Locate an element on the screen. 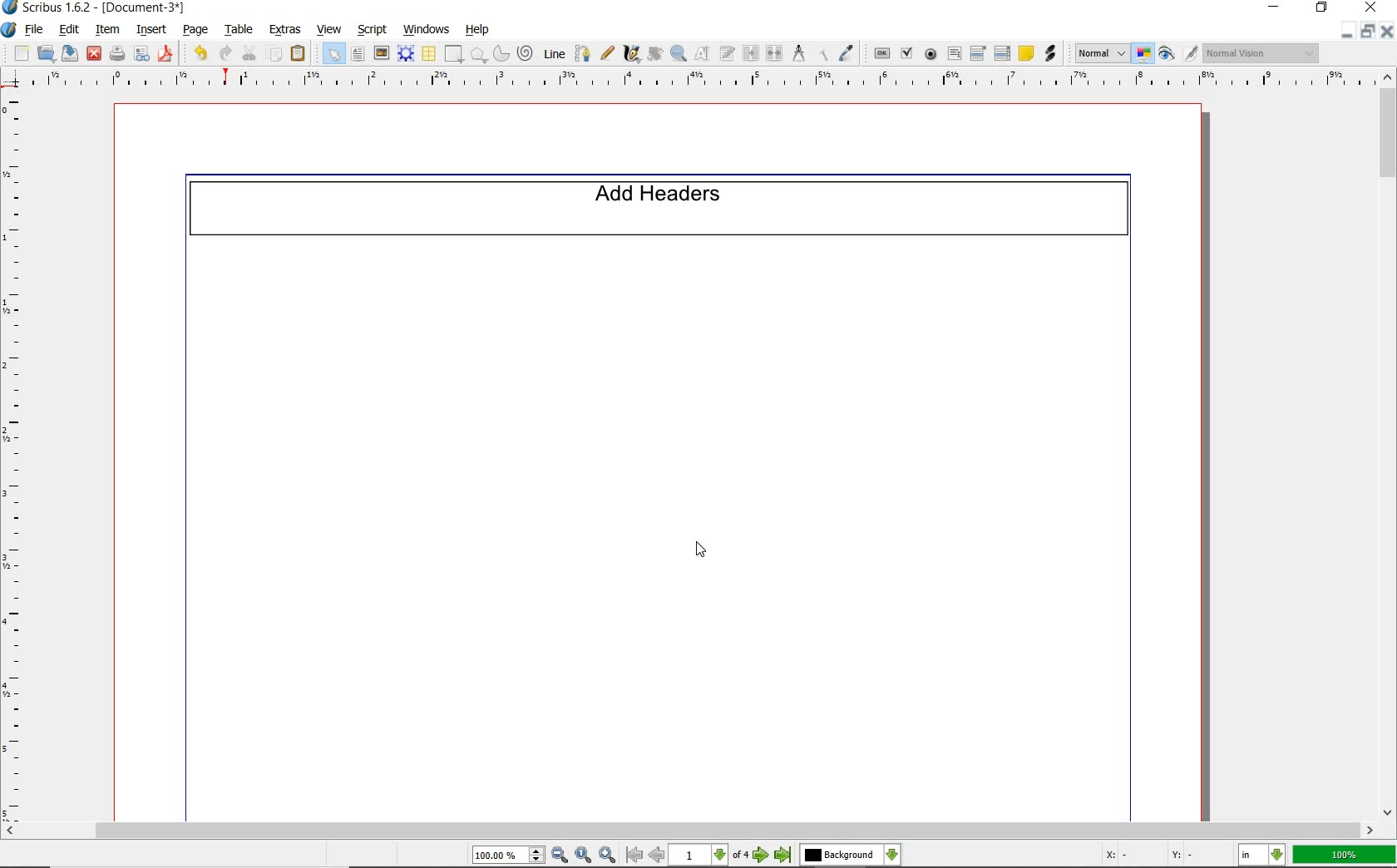 The image size is (1397, 868). pdf push button is located at coordinates (881, 52).